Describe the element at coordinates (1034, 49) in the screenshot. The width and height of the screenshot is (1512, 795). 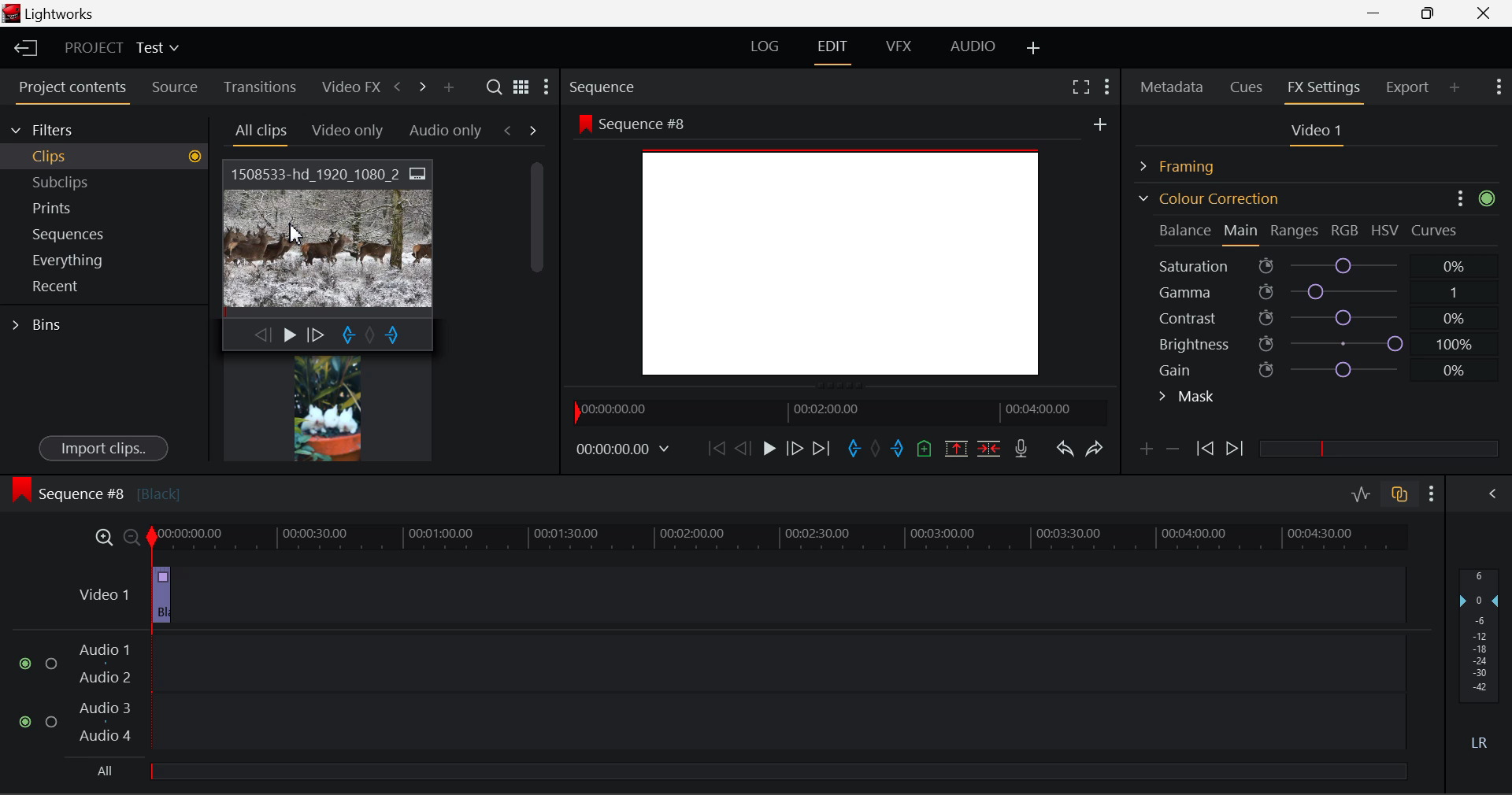
I see `Add Layout` at that location.